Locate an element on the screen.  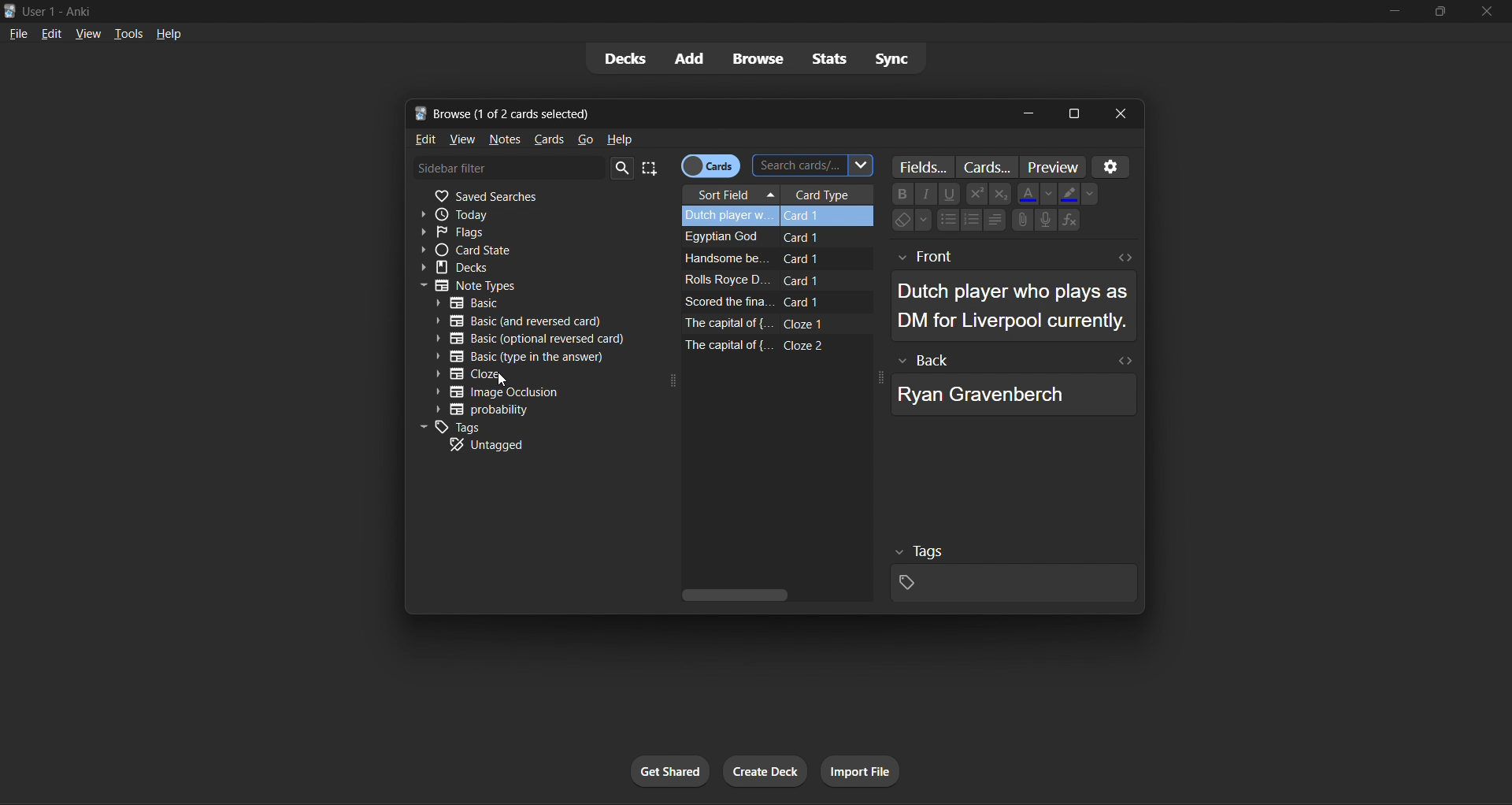
cursor is located at coordinates (502, 377).